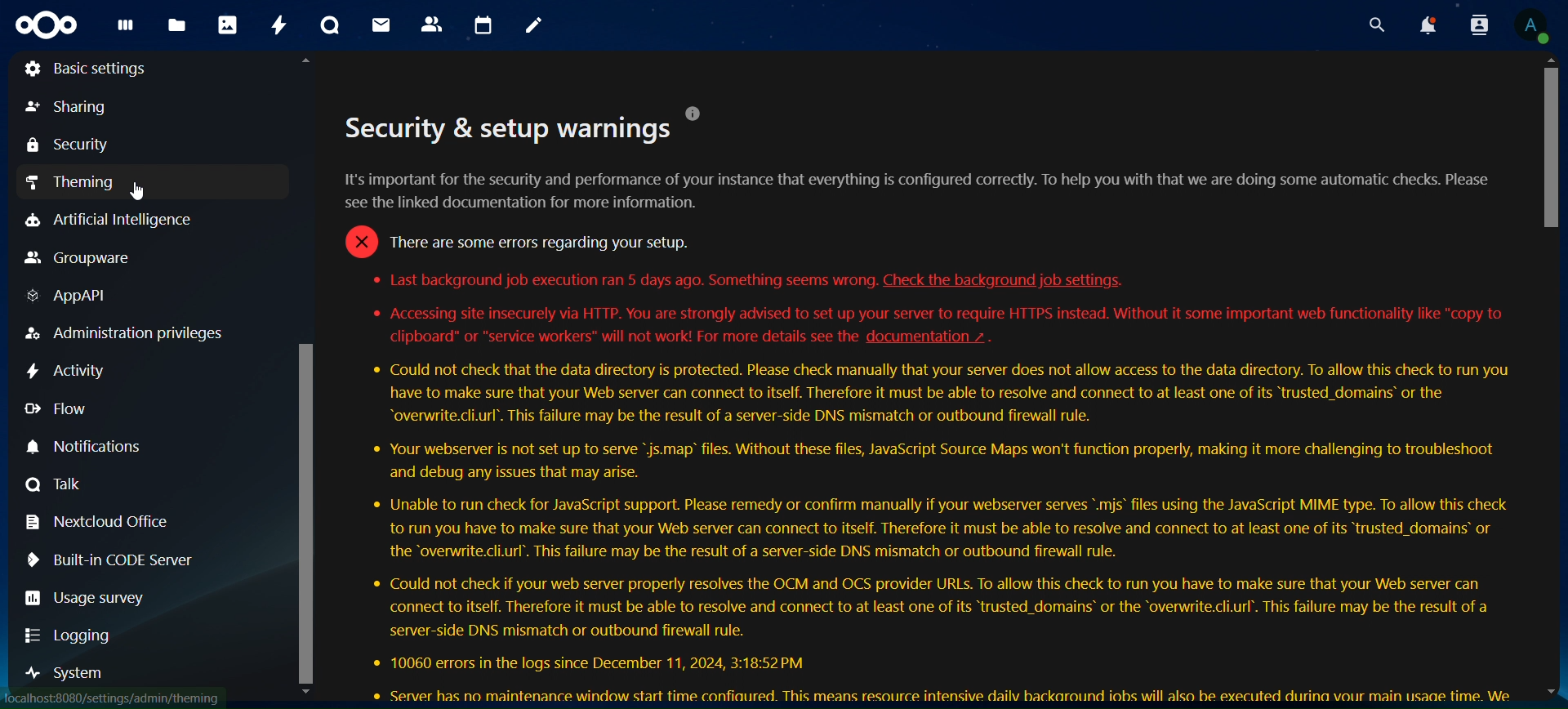 The width and height of the screenshot is (1568, 709). I want to click on link, so click(115, 695).